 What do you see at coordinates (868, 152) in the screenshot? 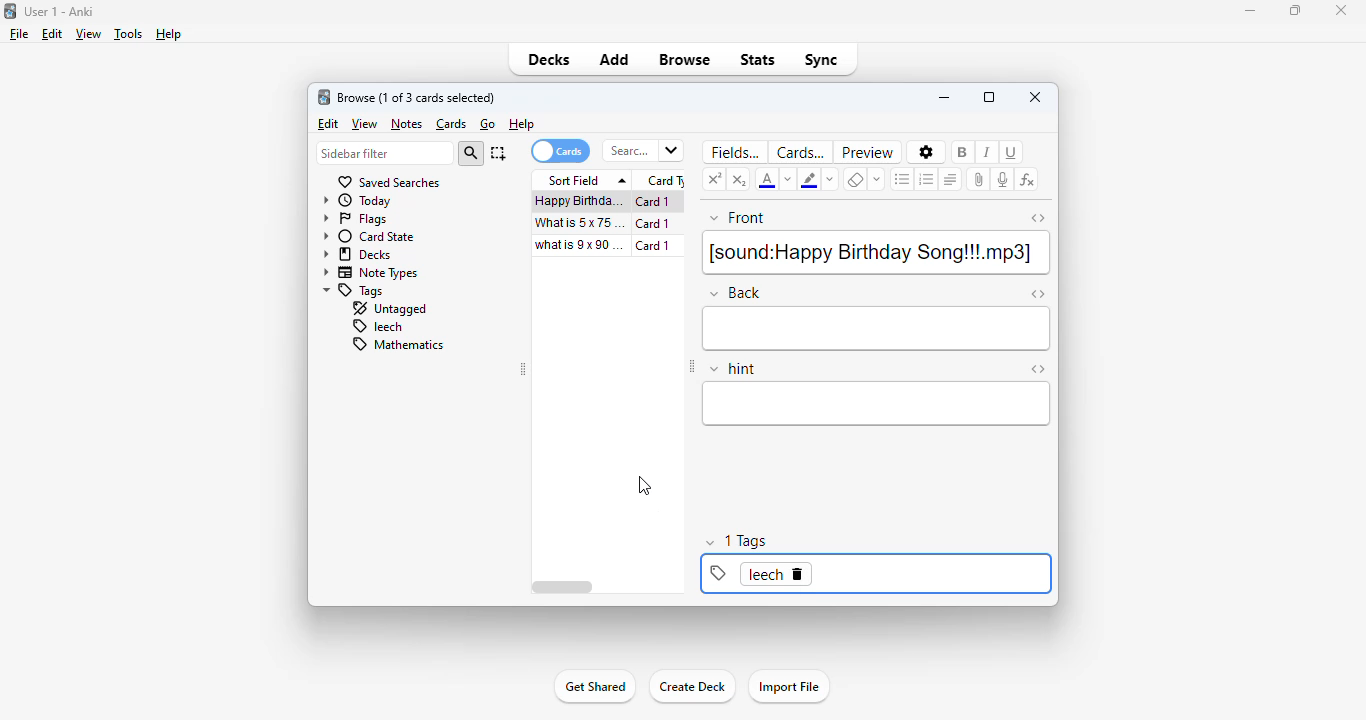
I see `preview` at bounding box center [868, 152].